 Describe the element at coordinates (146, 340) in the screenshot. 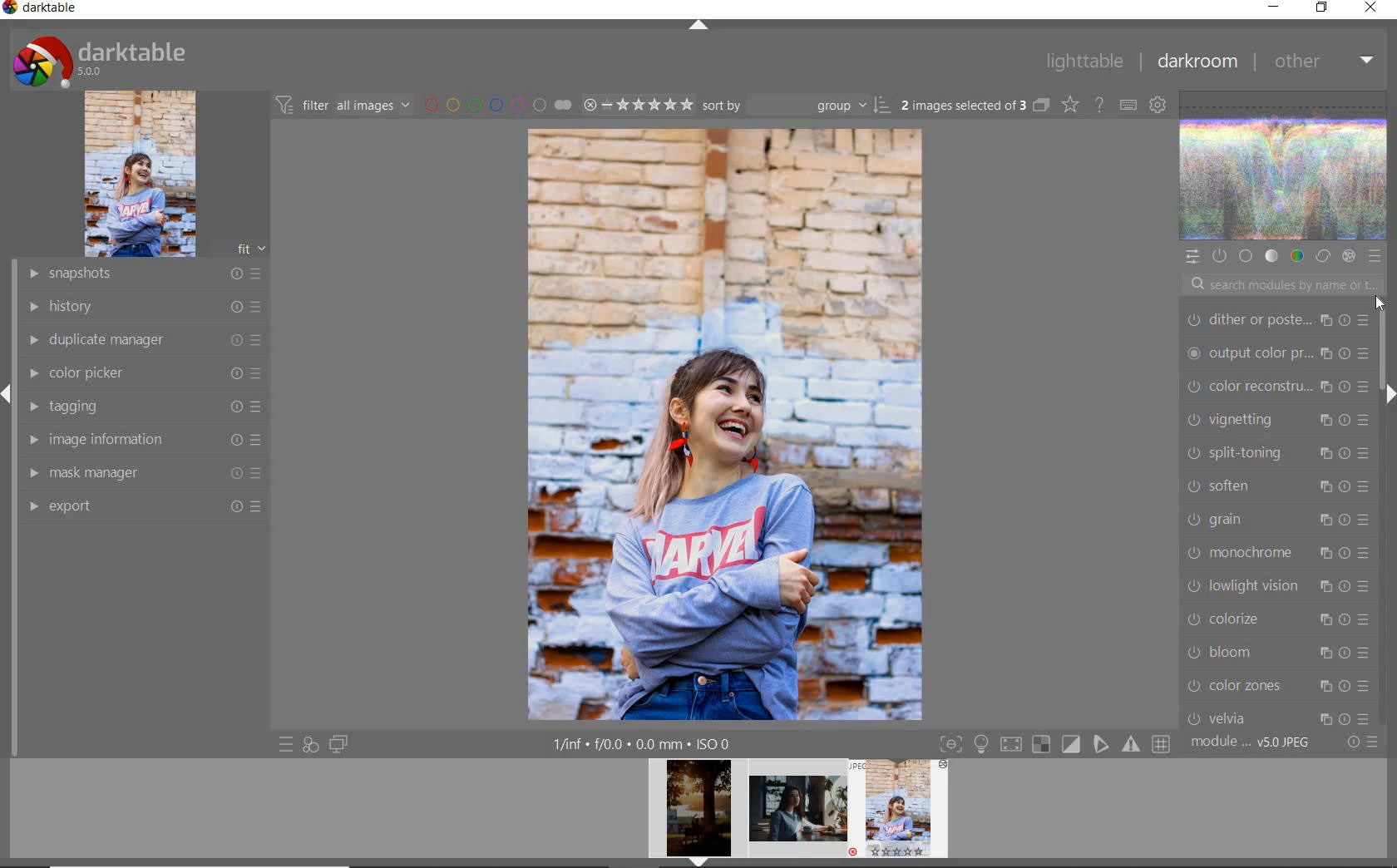

I see `duplicate manager` at that location.